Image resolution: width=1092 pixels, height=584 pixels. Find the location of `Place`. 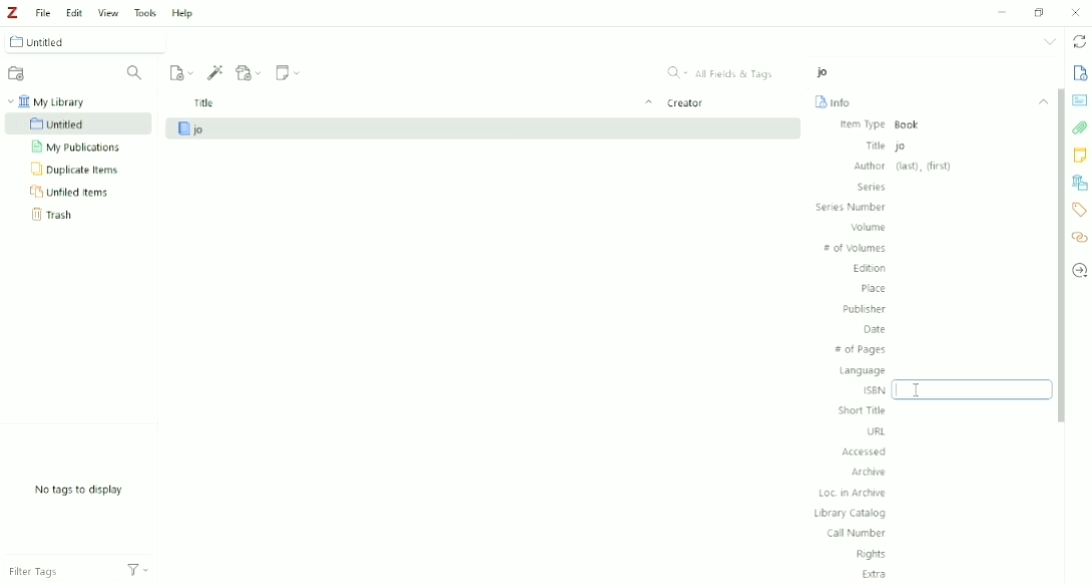

Place is located at coordinates (873, 288).